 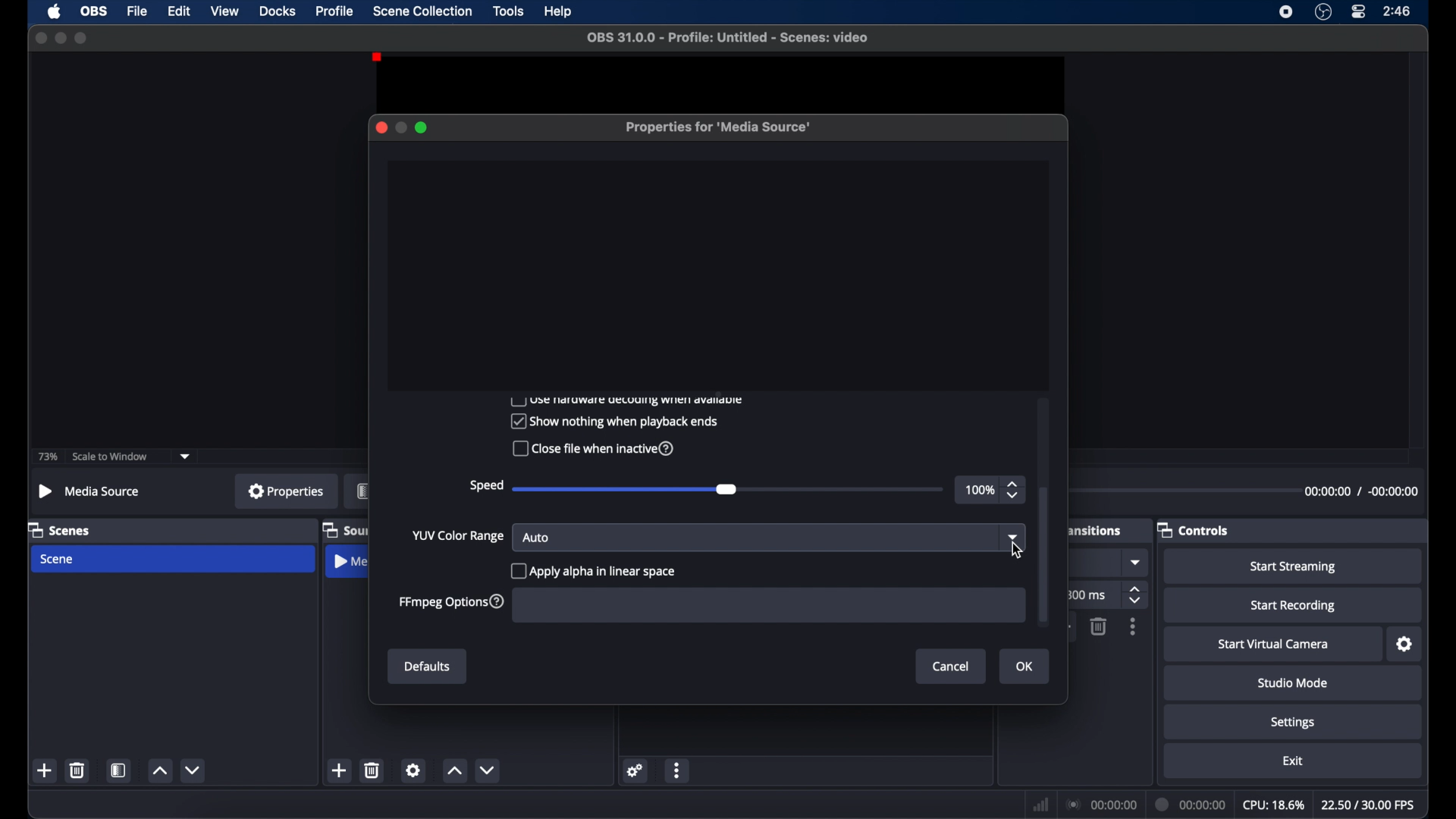 What do you see at coordinates (1361, 491) in the screenshot?
I see `duration` at bounding box center [1361, 491].